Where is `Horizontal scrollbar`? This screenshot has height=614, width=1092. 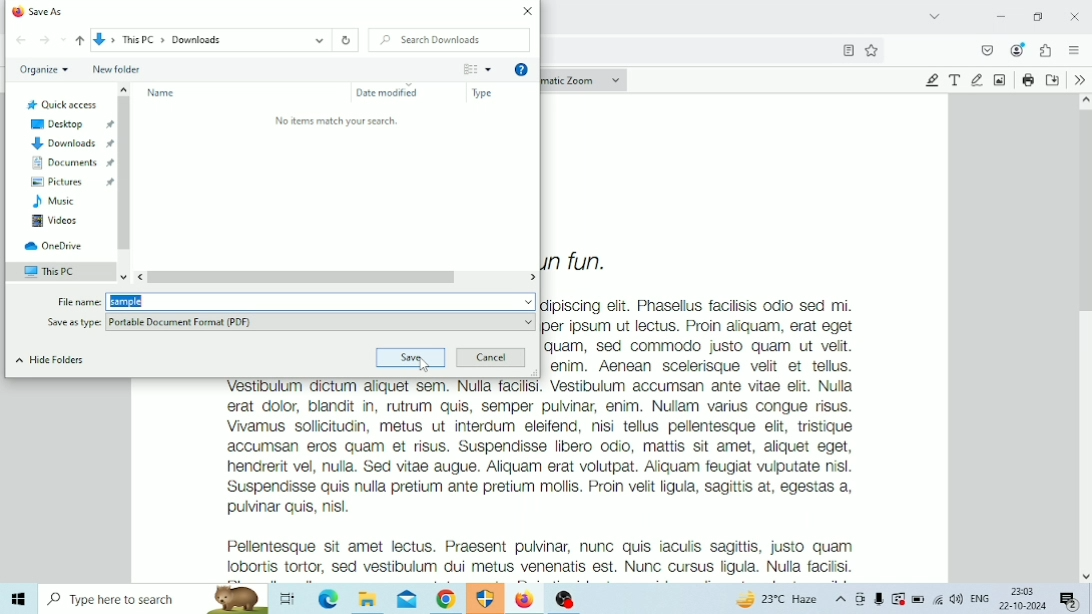
Horizontal scrollbar is located at coordinates (317, 277).